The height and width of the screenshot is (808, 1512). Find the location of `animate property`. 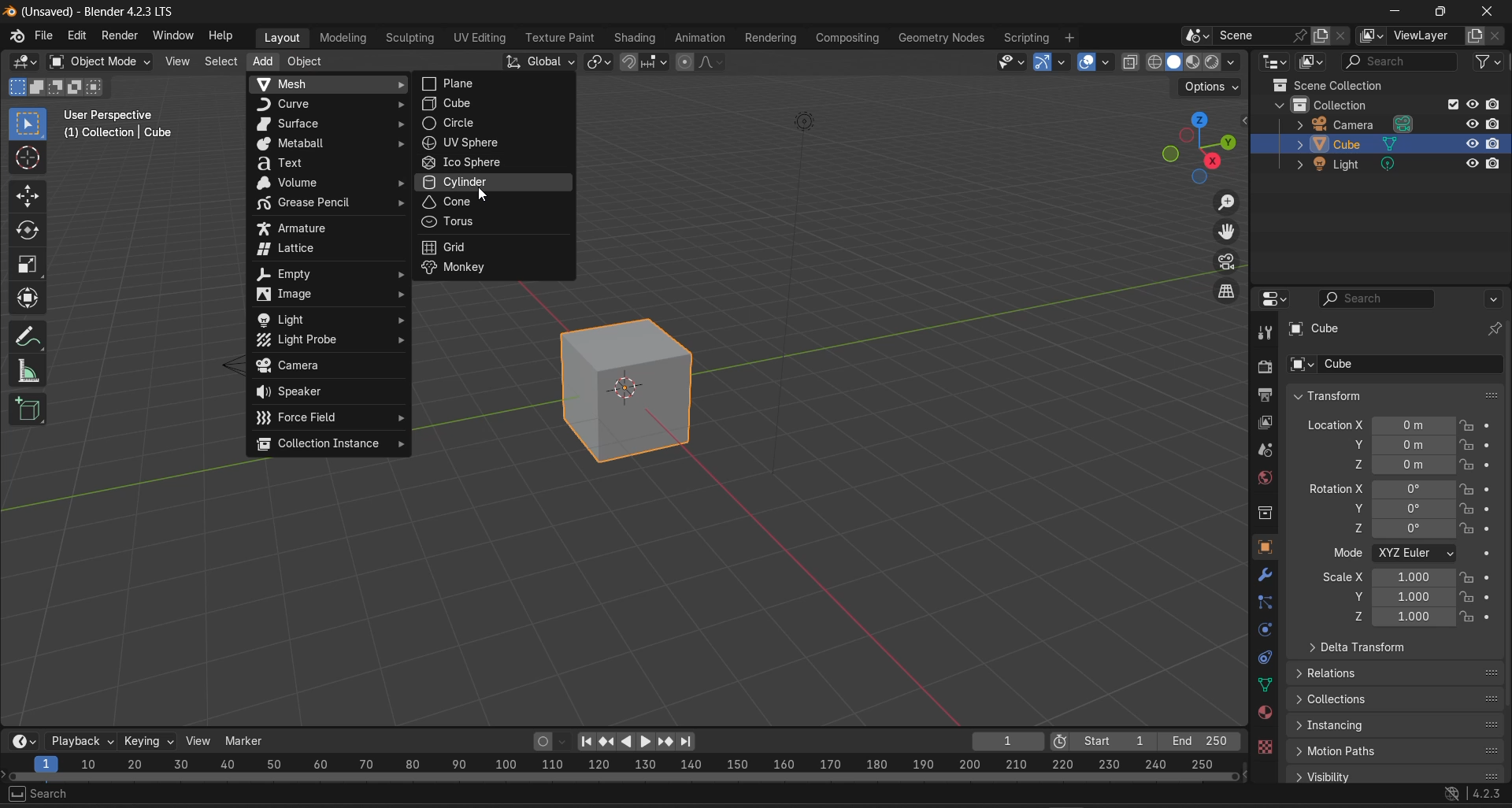

animate property is located at coordinates (1492, 489).